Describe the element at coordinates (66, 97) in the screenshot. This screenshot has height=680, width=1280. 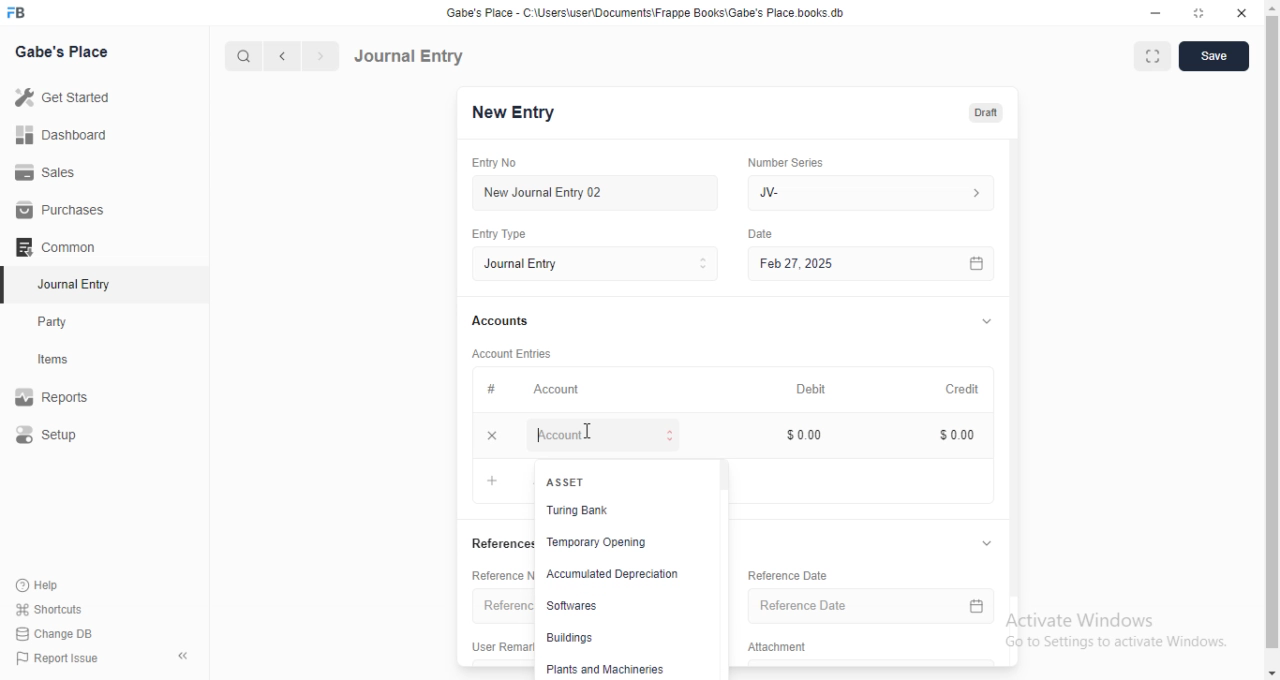
I see `Get Started` at that location.